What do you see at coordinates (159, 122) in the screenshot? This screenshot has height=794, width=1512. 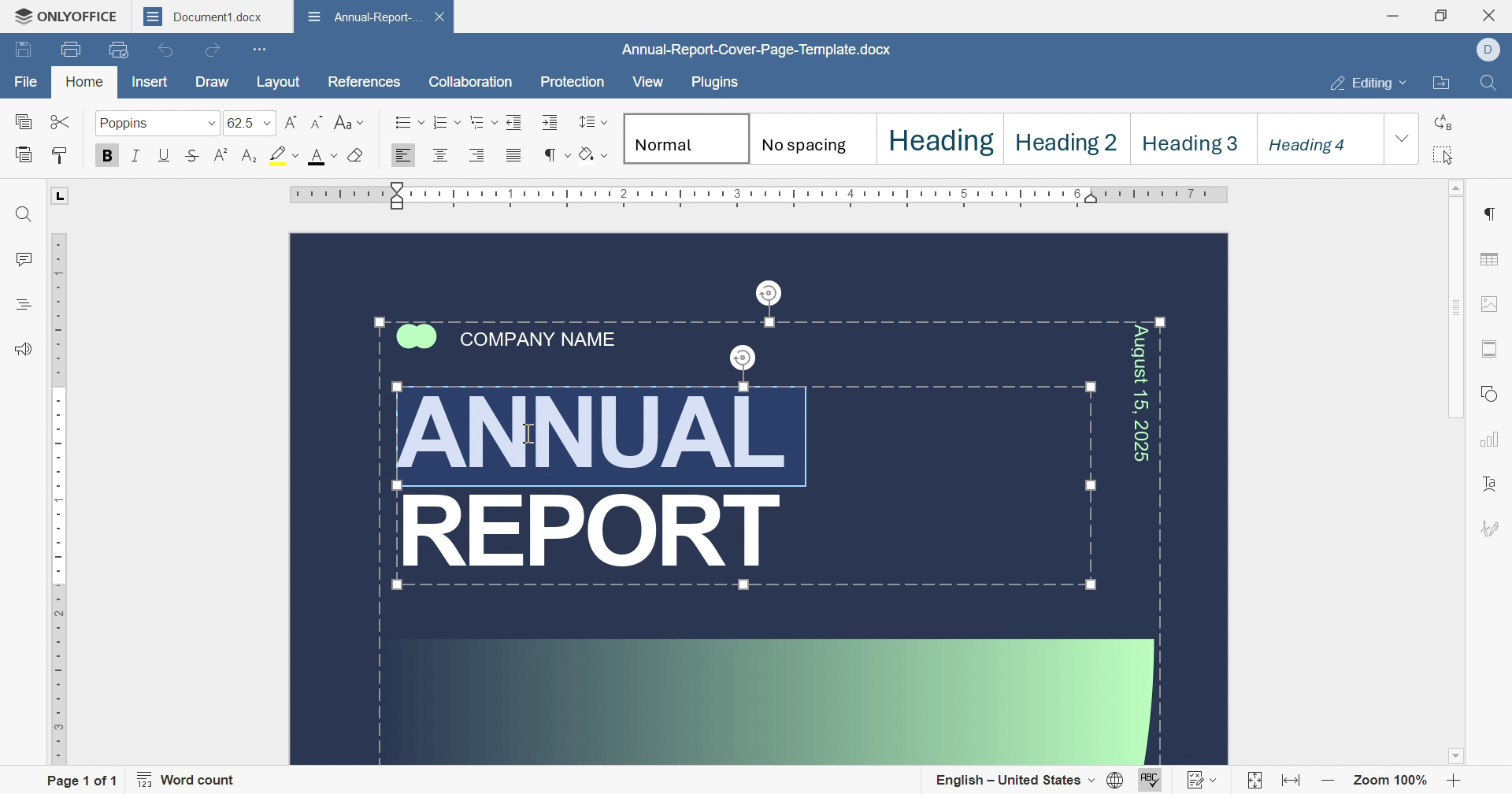 I see `font` at bounding box center [159, 122].